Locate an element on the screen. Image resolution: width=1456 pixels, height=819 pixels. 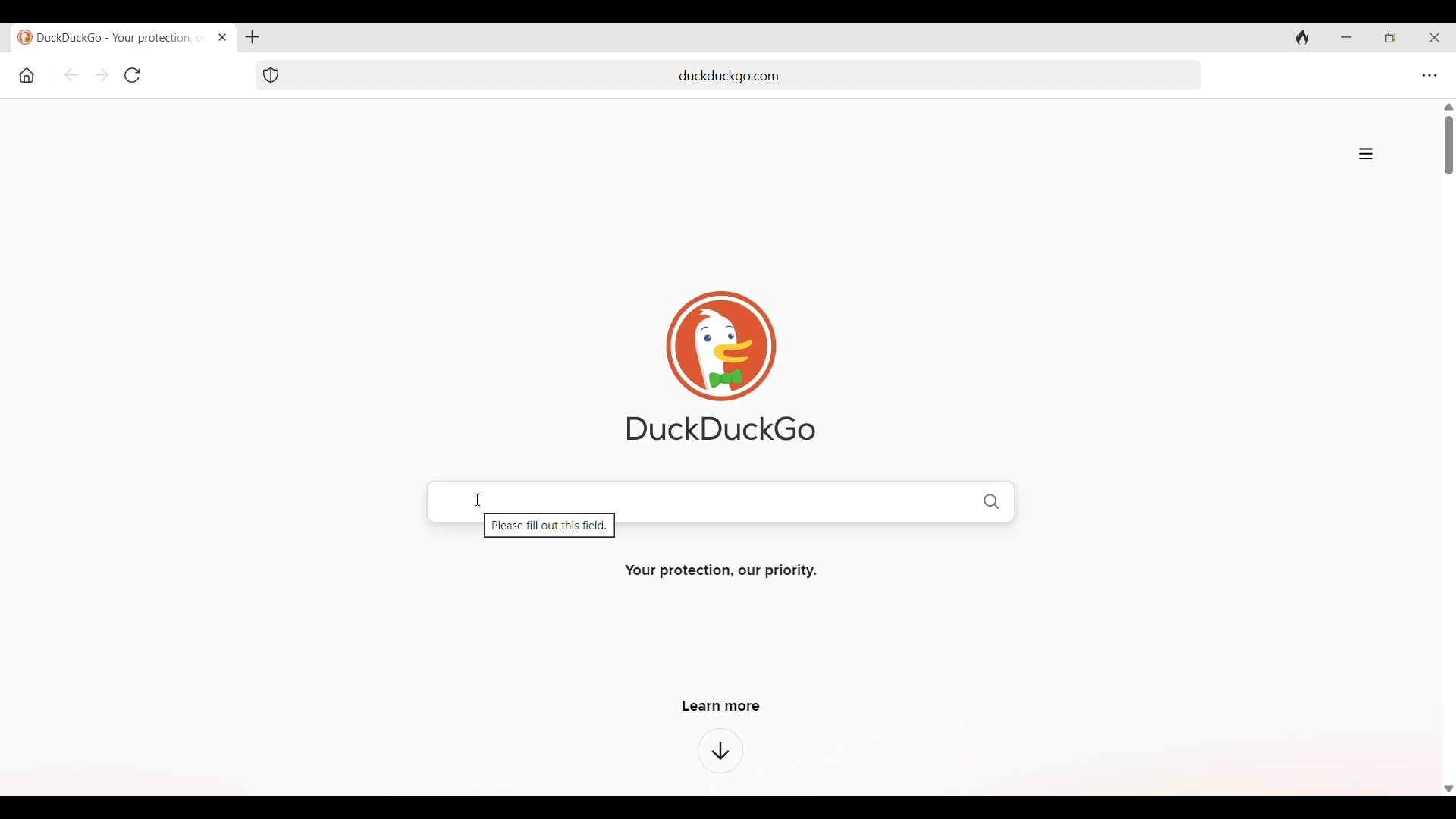
Learn more is located at coordinates (721, 705).